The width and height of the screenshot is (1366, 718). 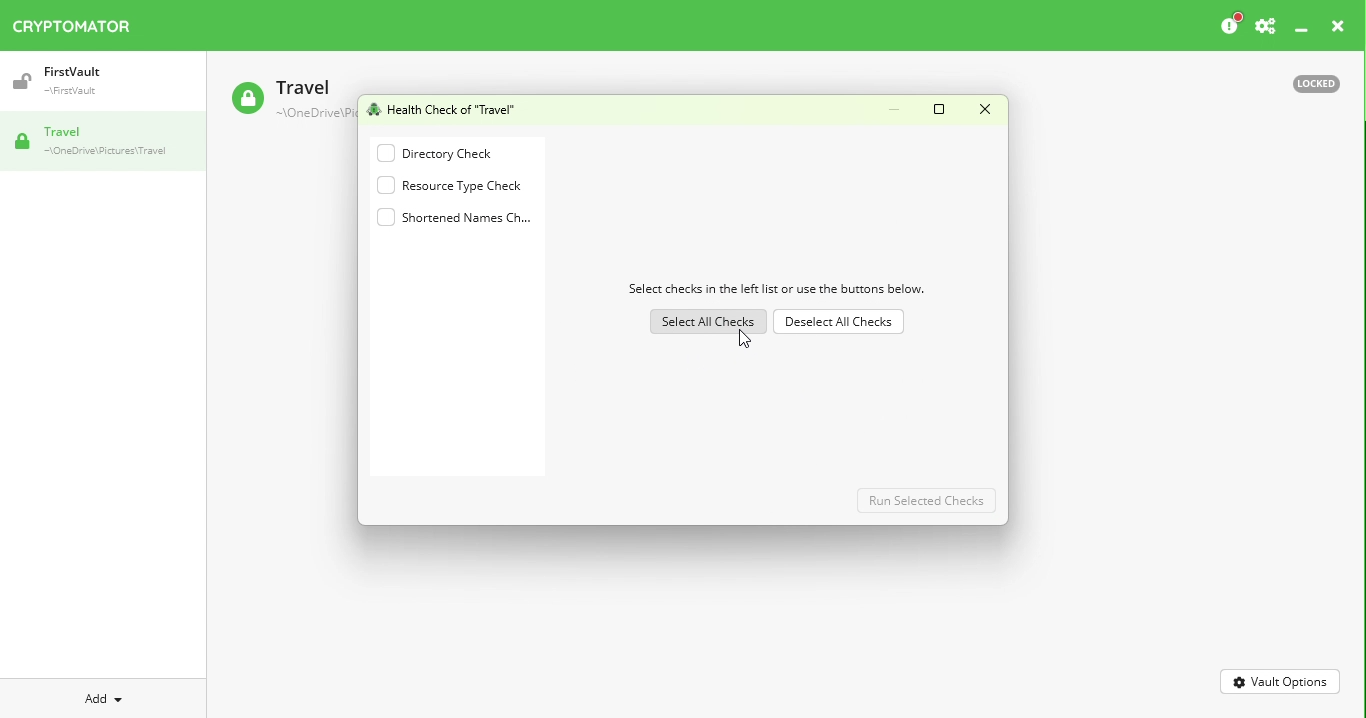 I want to click on Select all checks, so click(x=709, y=320).